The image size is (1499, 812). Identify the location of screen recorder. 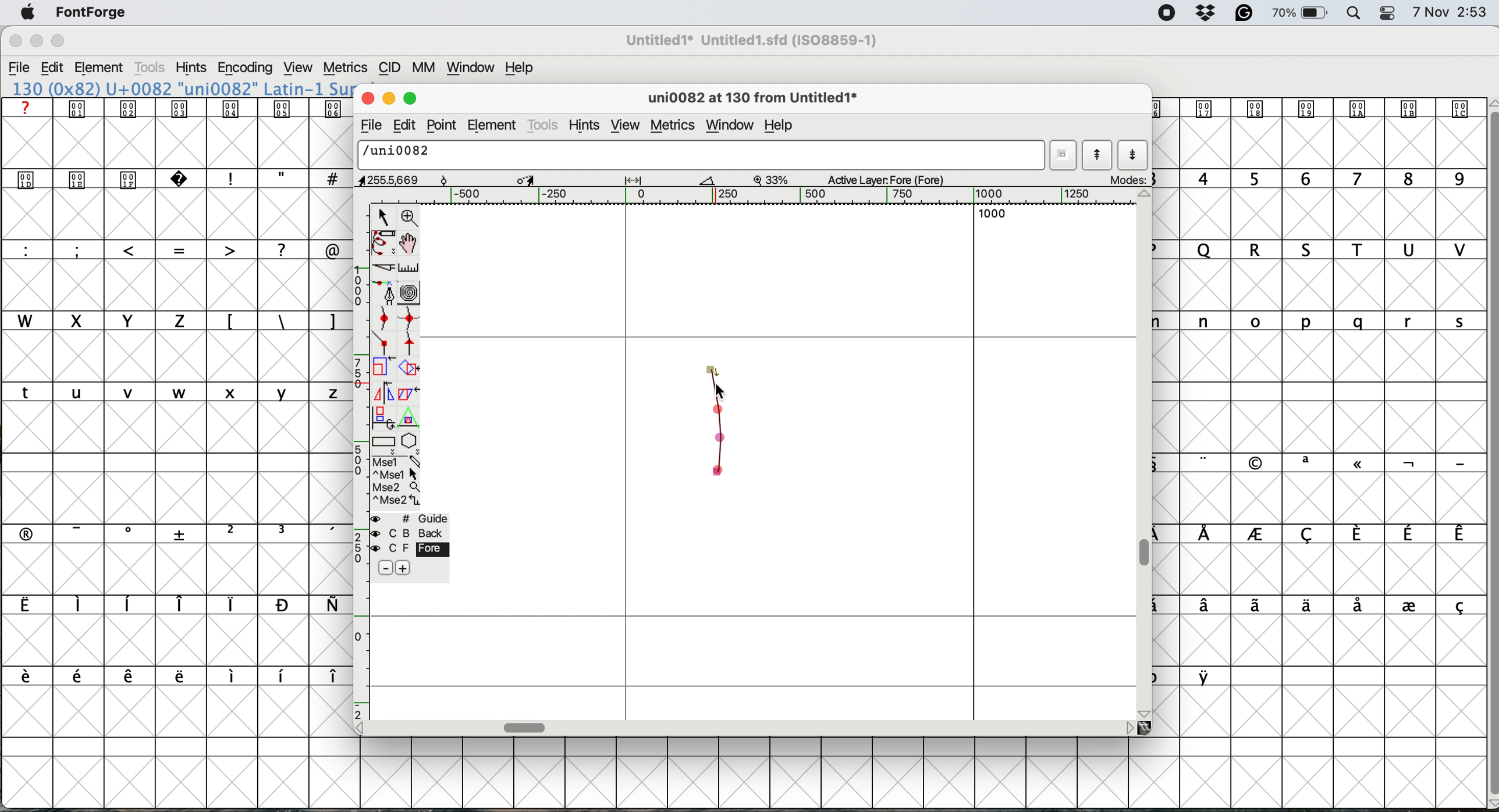
(1166, 15).